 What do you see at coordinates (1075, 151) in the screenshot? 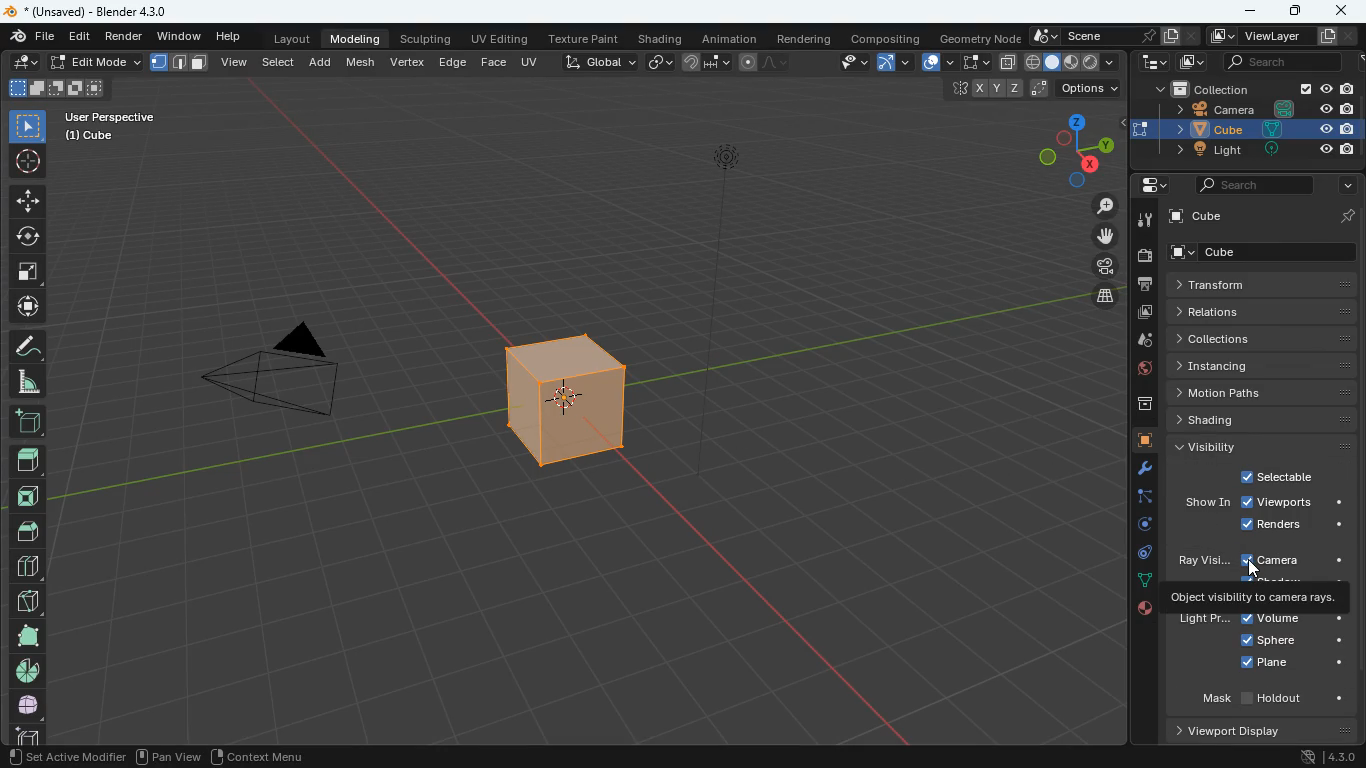
I see `dimensions` at bounding box center [1075, 151].